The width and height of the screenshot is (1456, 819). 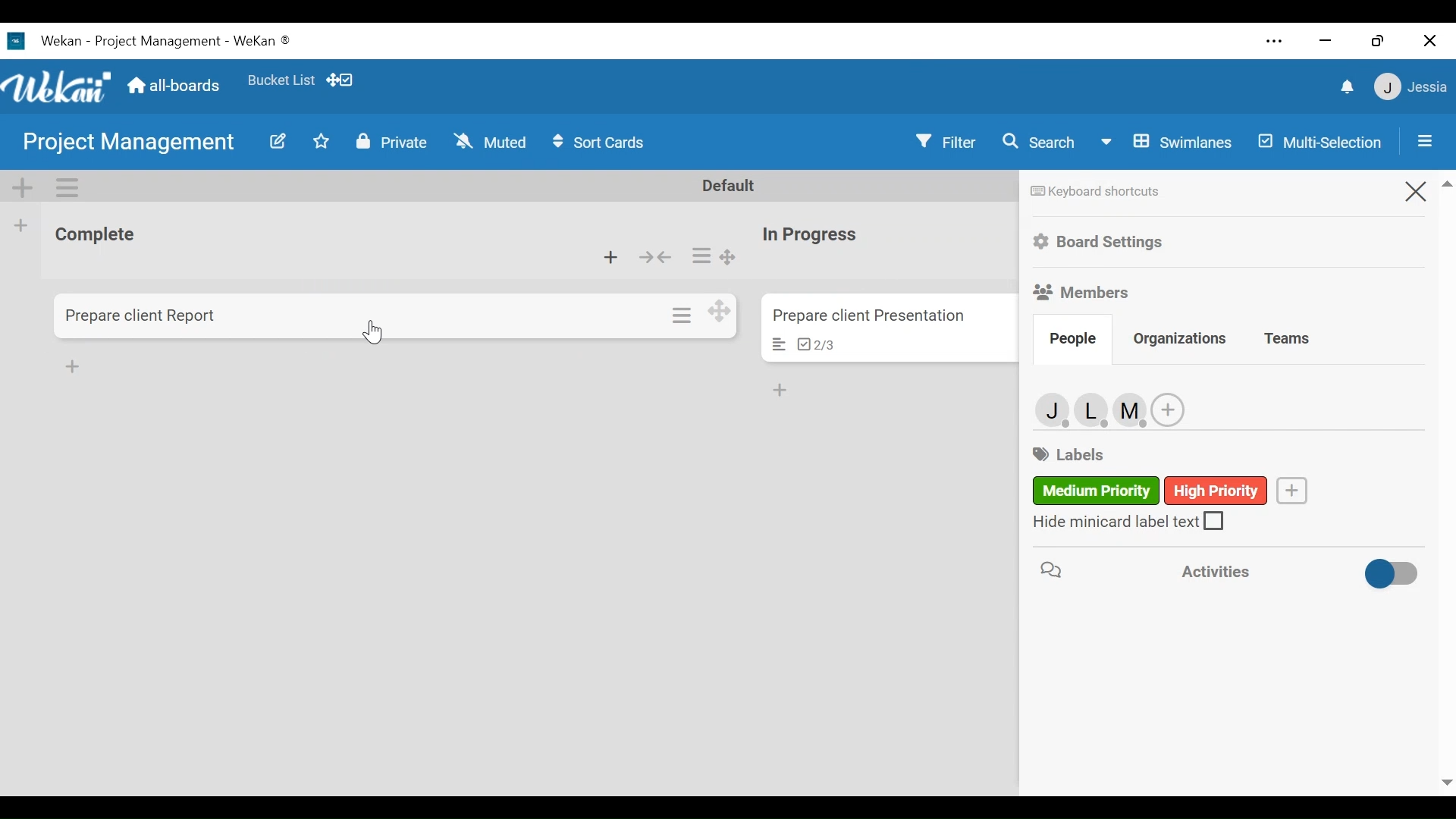 I want to click on Settings and more, so click(x=1276, y=42).